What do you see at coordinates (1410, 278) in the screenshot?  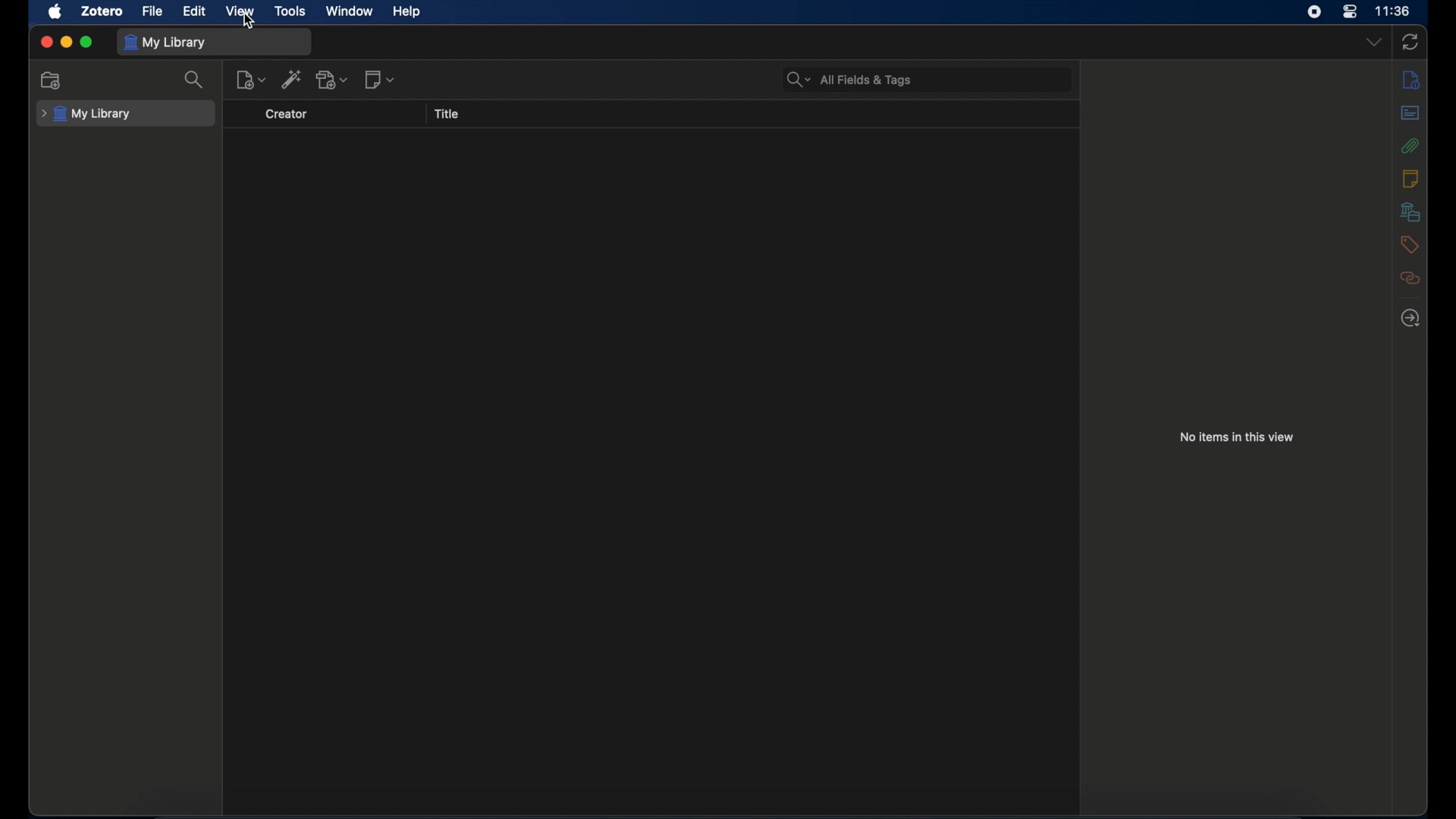 I see `related` at bounding box center [1410, 278].